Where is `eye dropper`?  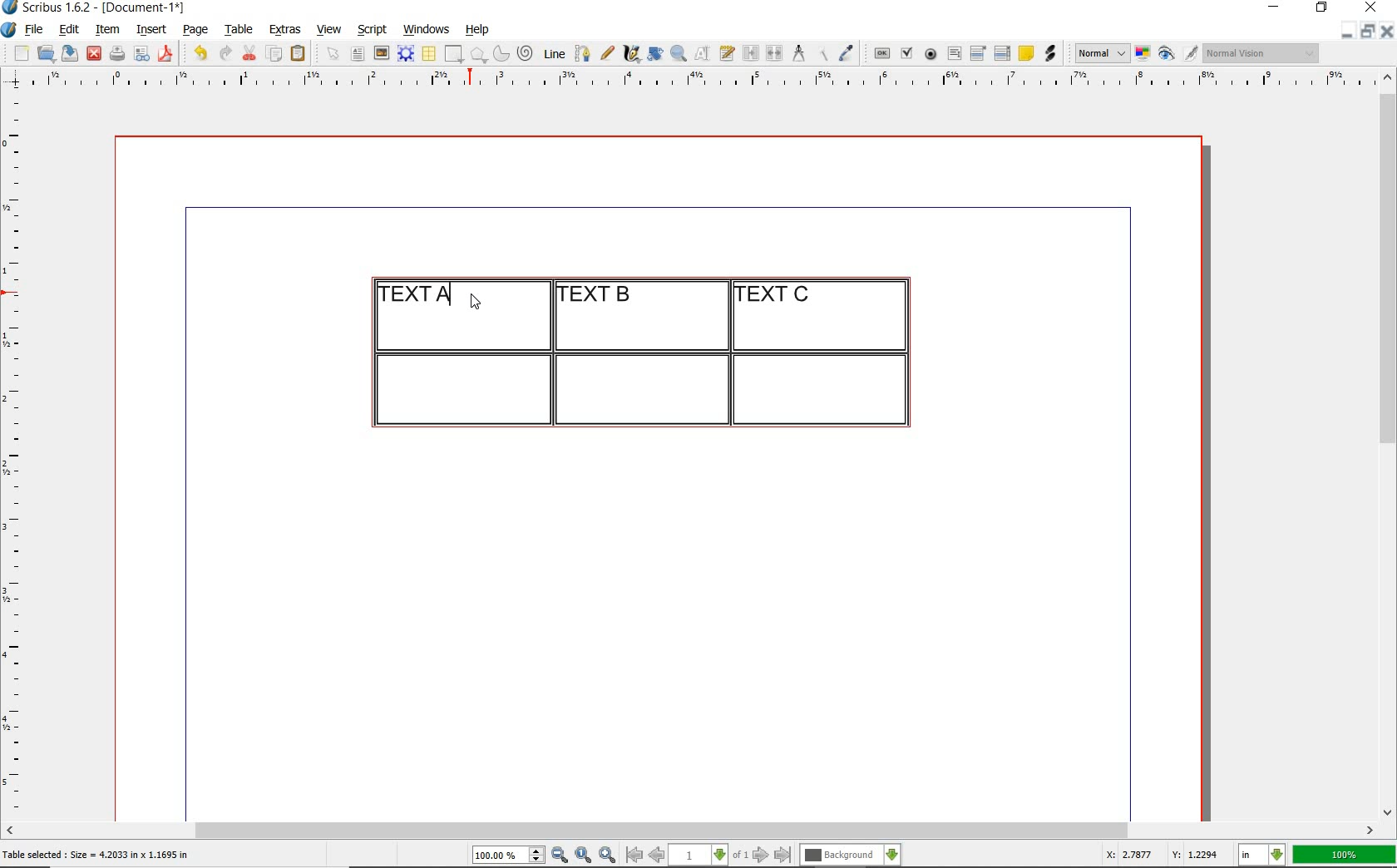 eye dropper is located at coordinates (846, 55).